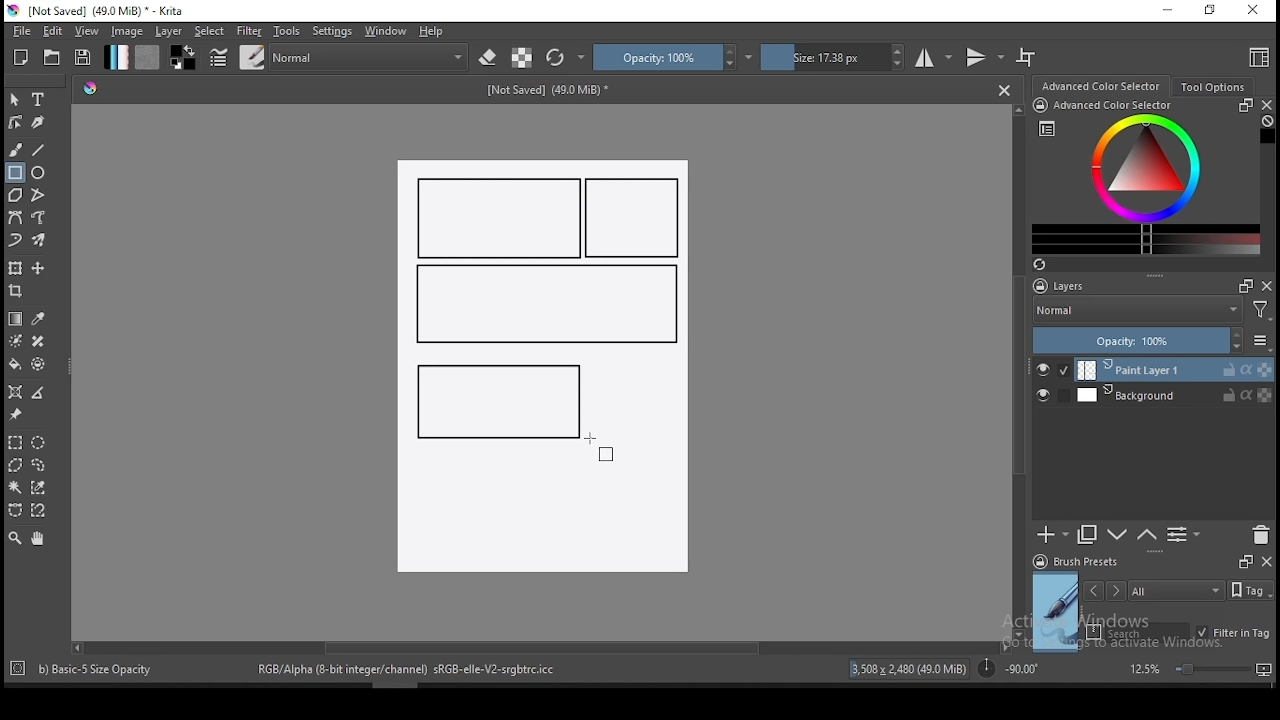  What do you see at coordinates (16, 319) in the screenshot?
I see `gradient tool` at bounding box center [16, 319].